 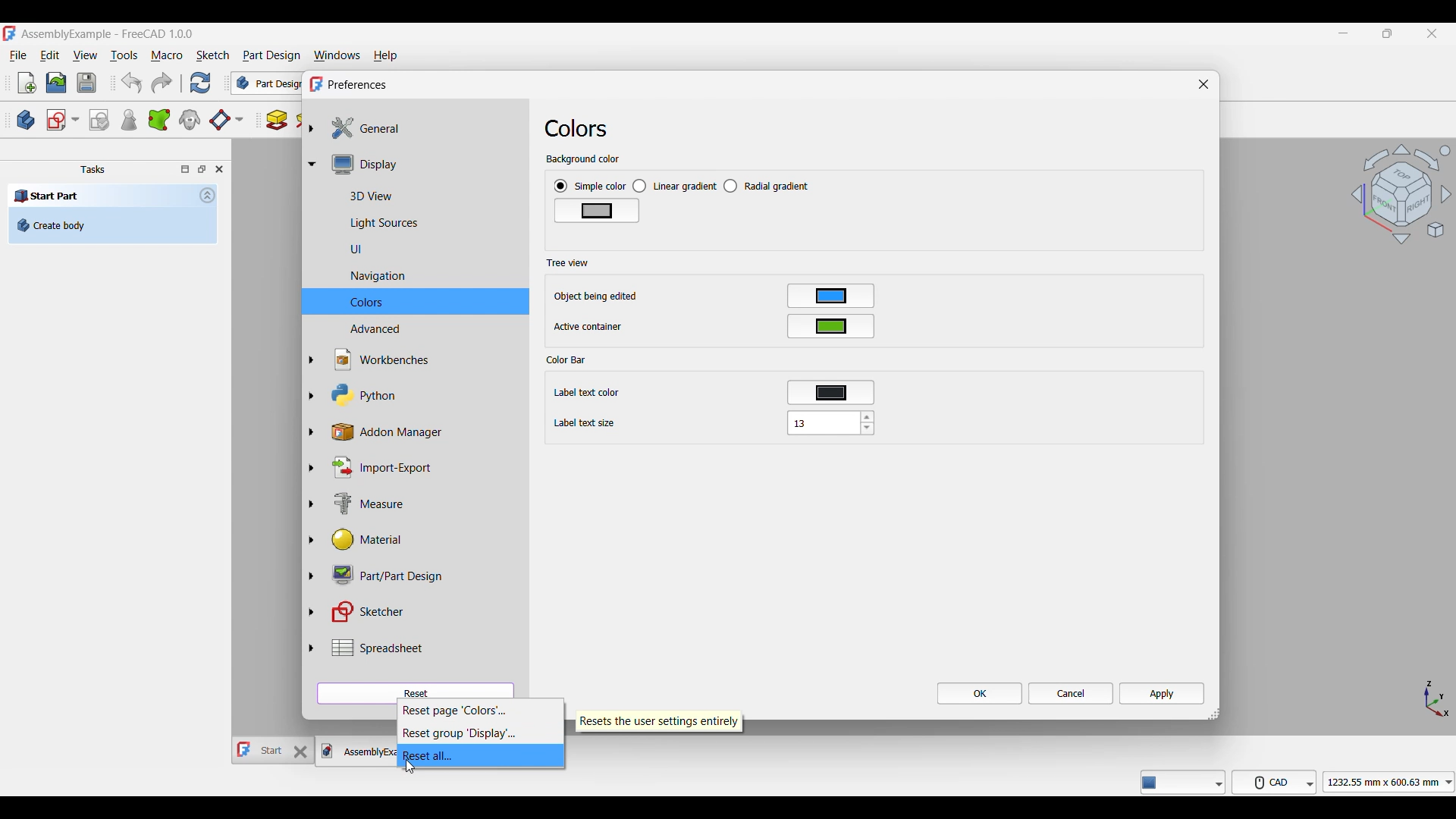 I want to click on Workbench settings, so click(x=372, y=360).